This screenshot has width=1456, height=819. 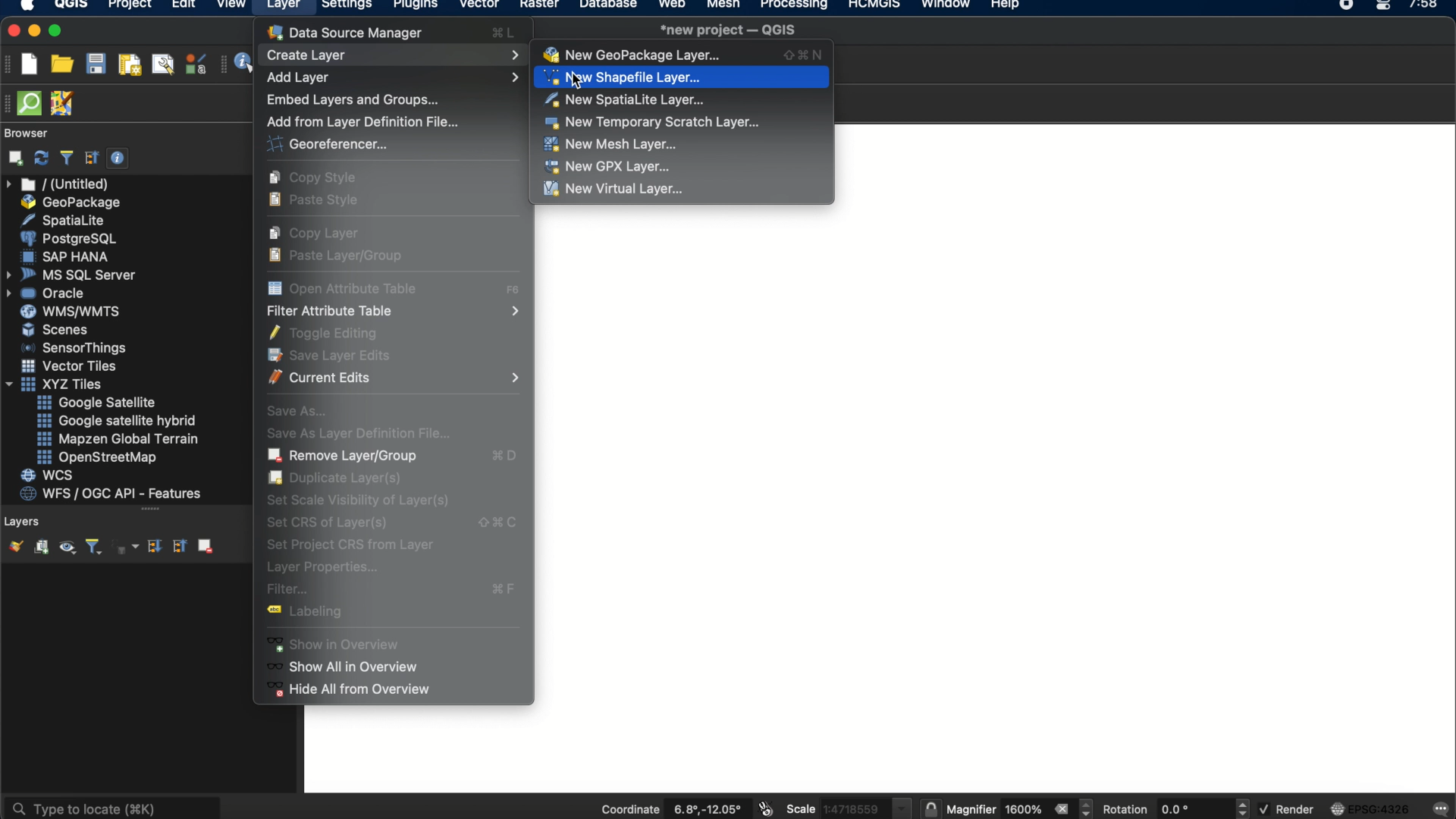 What do you see at coordinates (1439, 810) in the screenshot?
I see `messages` at bounding box center [1439, 810].